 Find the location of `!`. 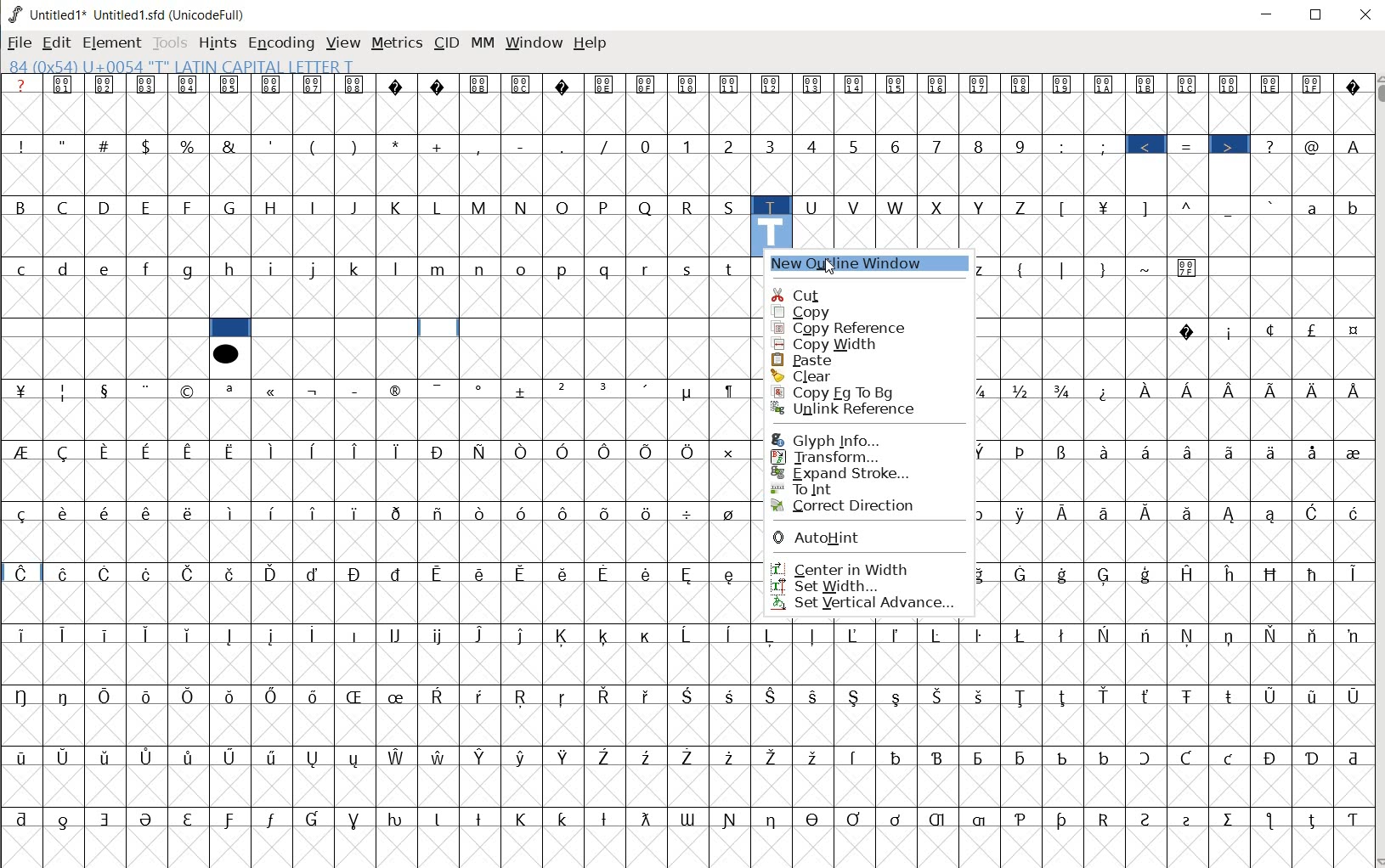

! is located at coordinates (20, 144).